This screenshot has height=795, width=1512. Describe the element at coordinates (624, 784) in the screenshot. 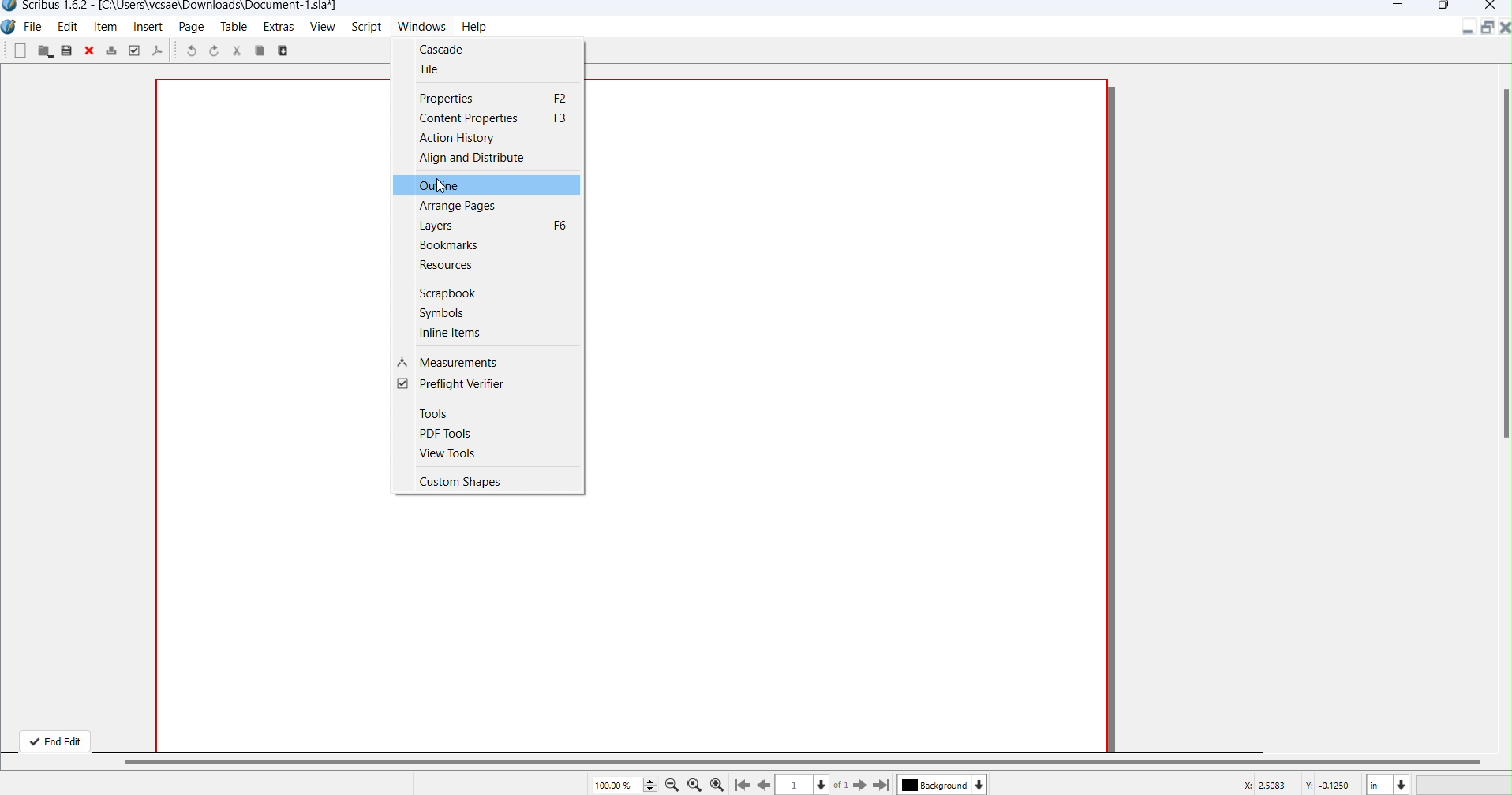

I see `100%` at that location.